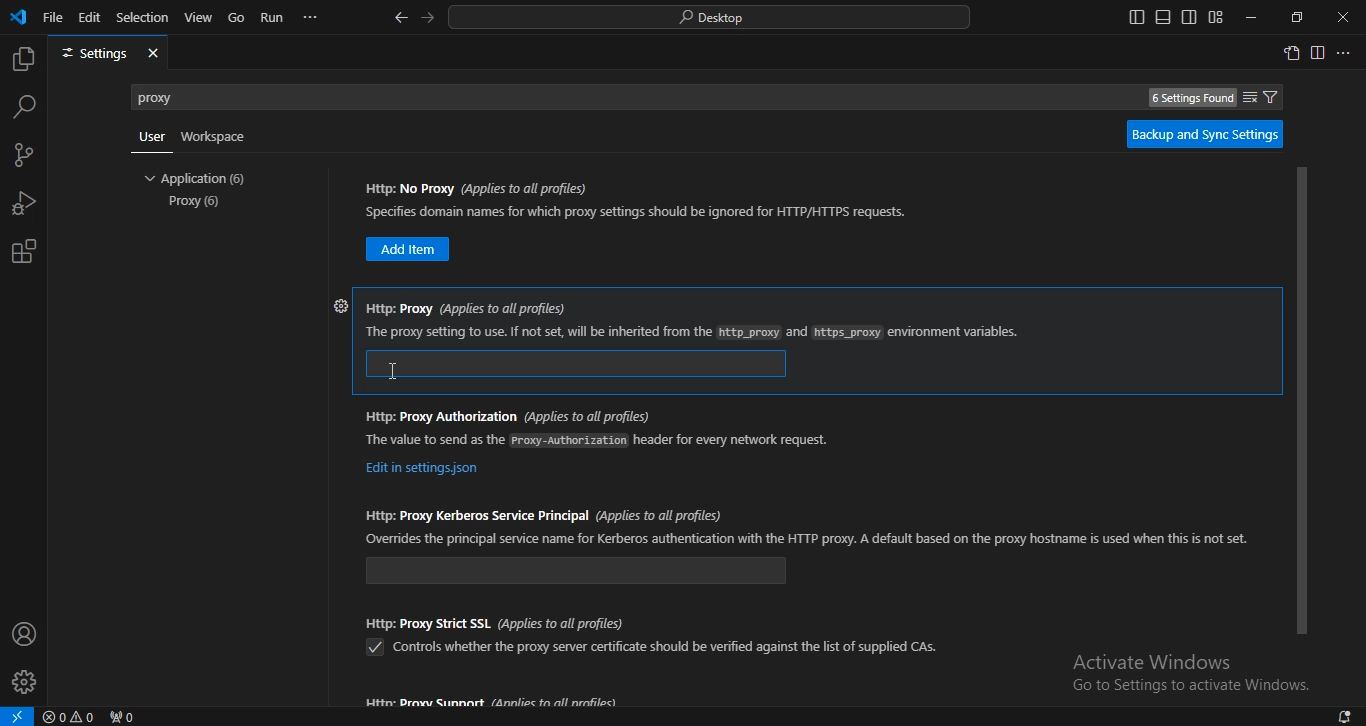 This screenshot has height=726, width=1366. Describe the element at coordinates (23, 682) in the screenshot. I see `settings` at that location.